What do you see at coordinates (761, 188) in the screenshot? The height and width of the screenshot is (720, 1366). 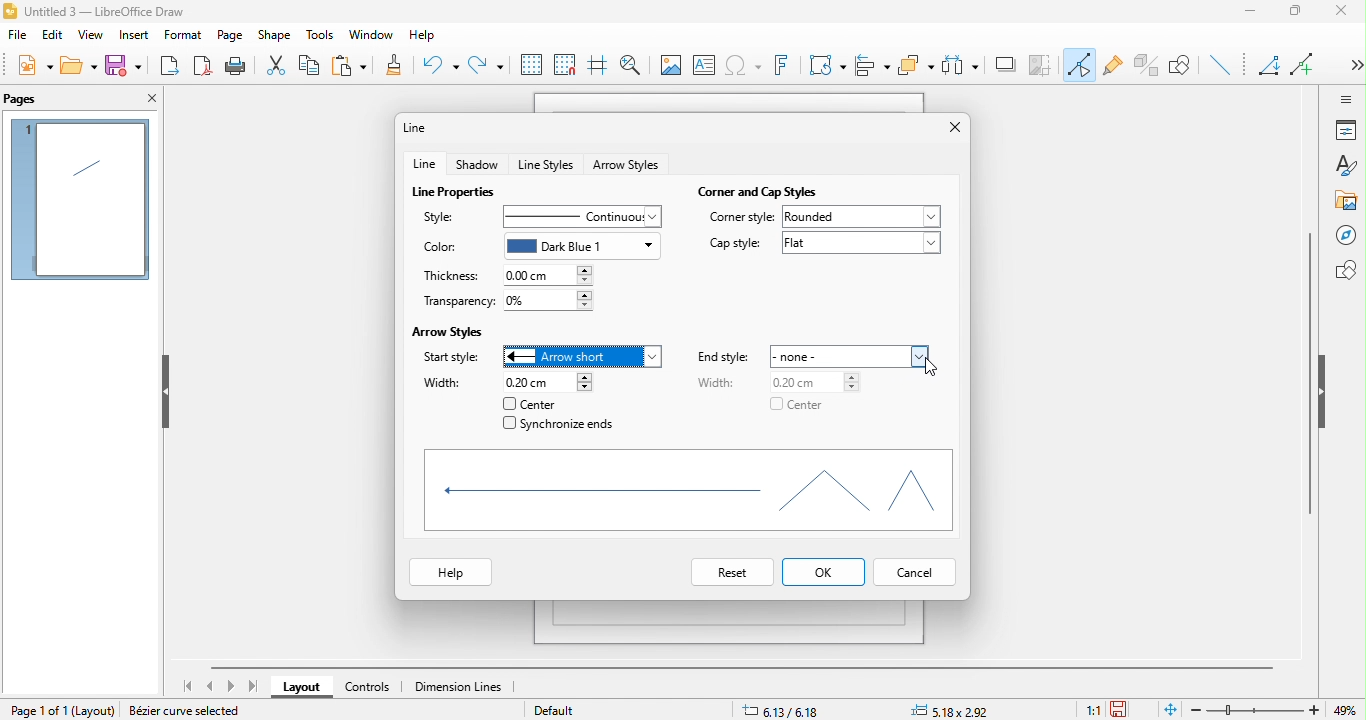 I see `corner and cap styles` at bounding box center [761, 188].